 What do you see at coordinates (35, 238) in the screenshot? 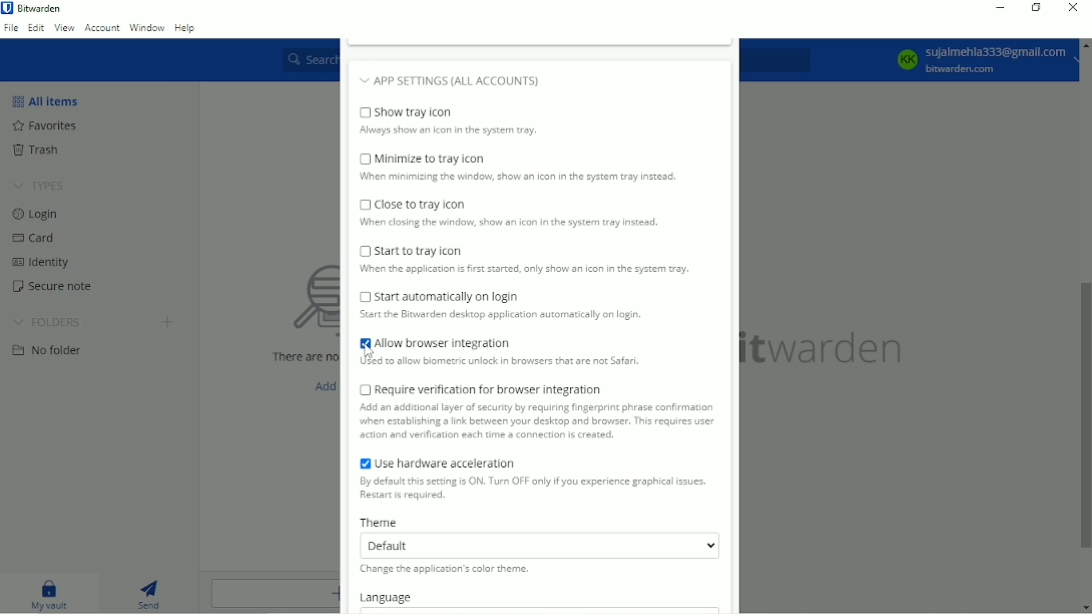
I see `Card` at bounding box center [35, 238].